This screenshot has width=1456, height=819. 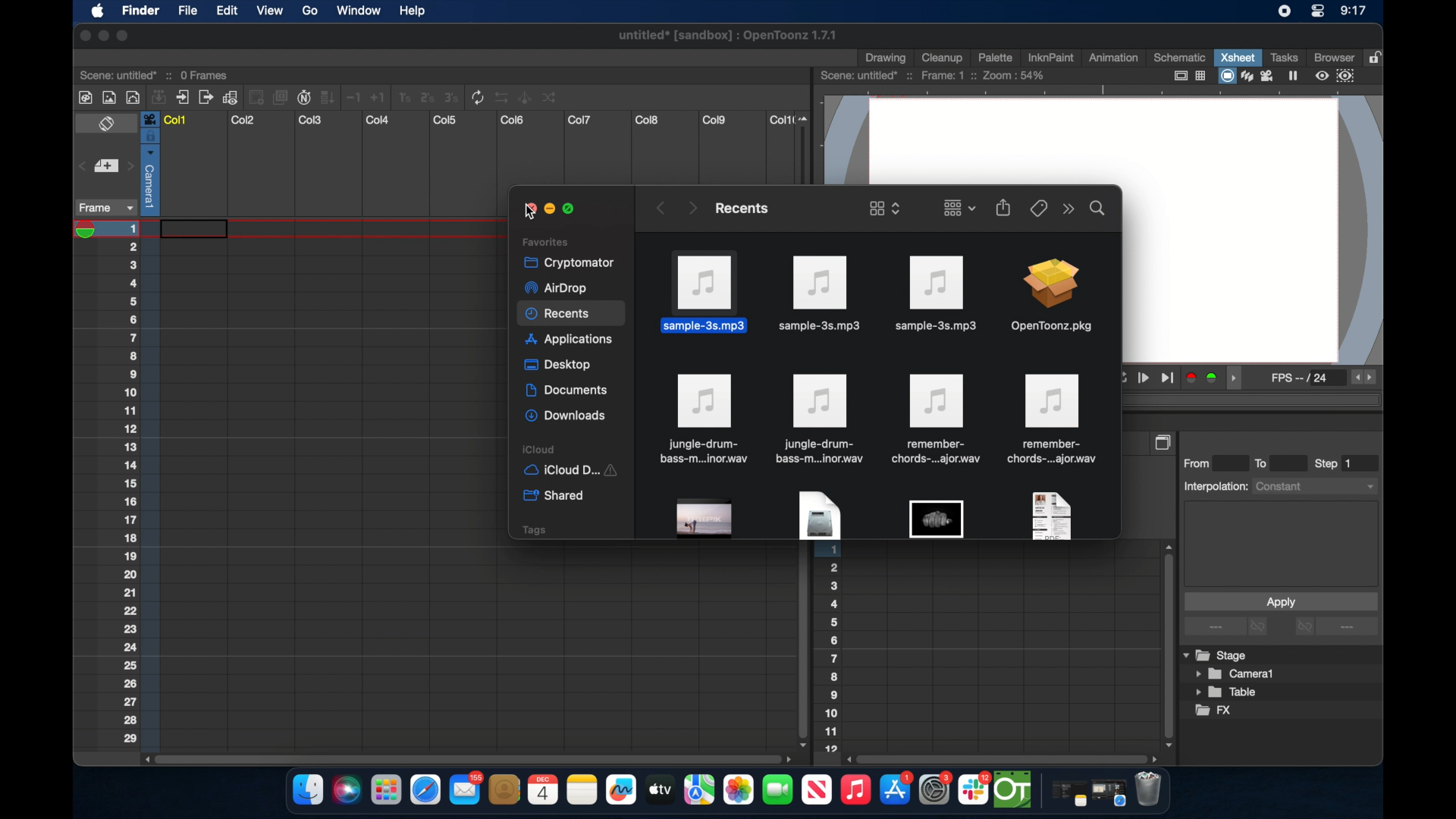 I want to click on step, so click(x=1335, y=463).